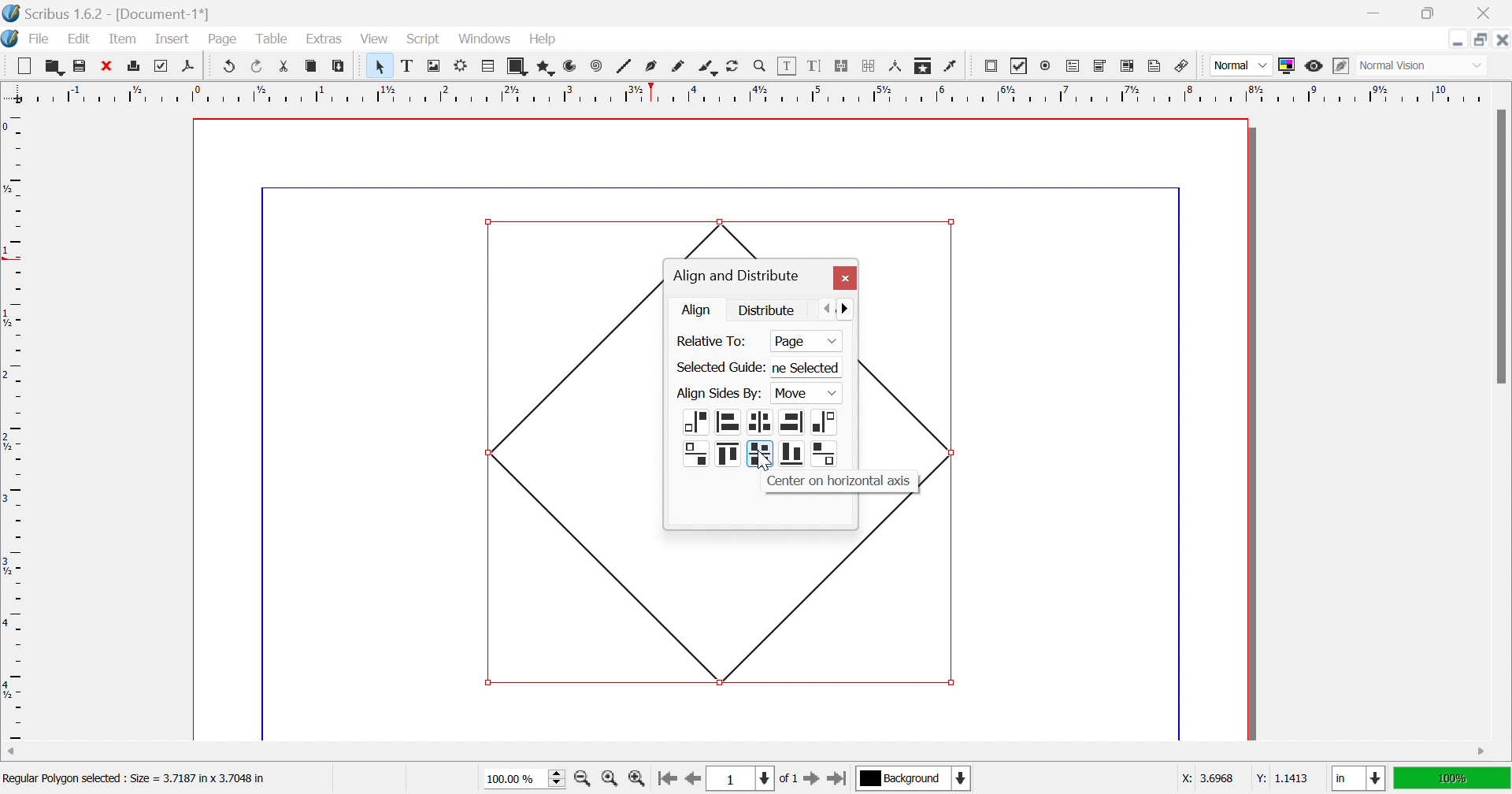 The image size is (1512, 794). Describe the element at coordinates (840, 66) in the screenshot. I see `Link text frames` at that location.